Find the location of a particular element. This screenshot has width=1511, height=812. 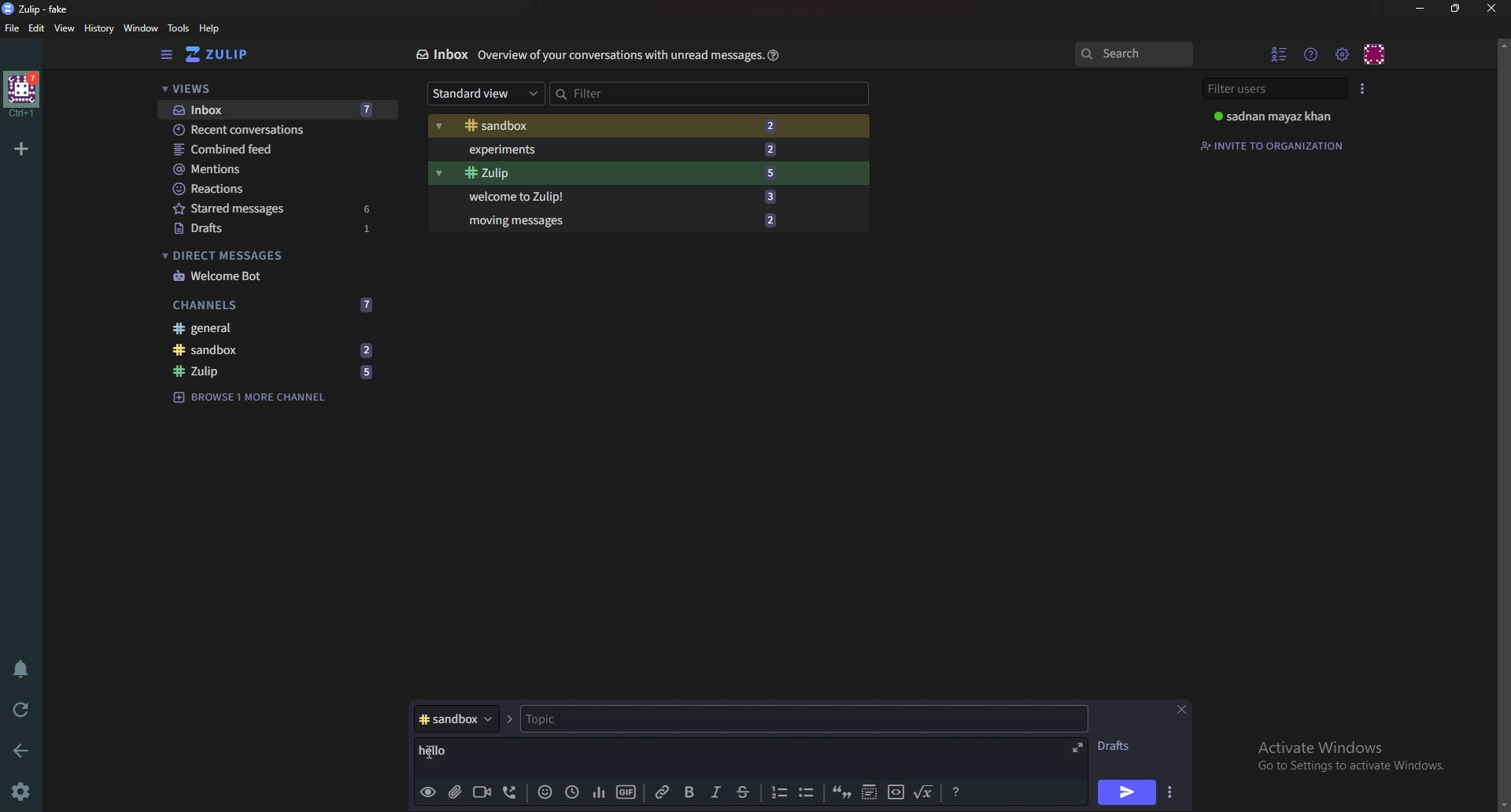

Send options is located at coordinates (1172, 790).